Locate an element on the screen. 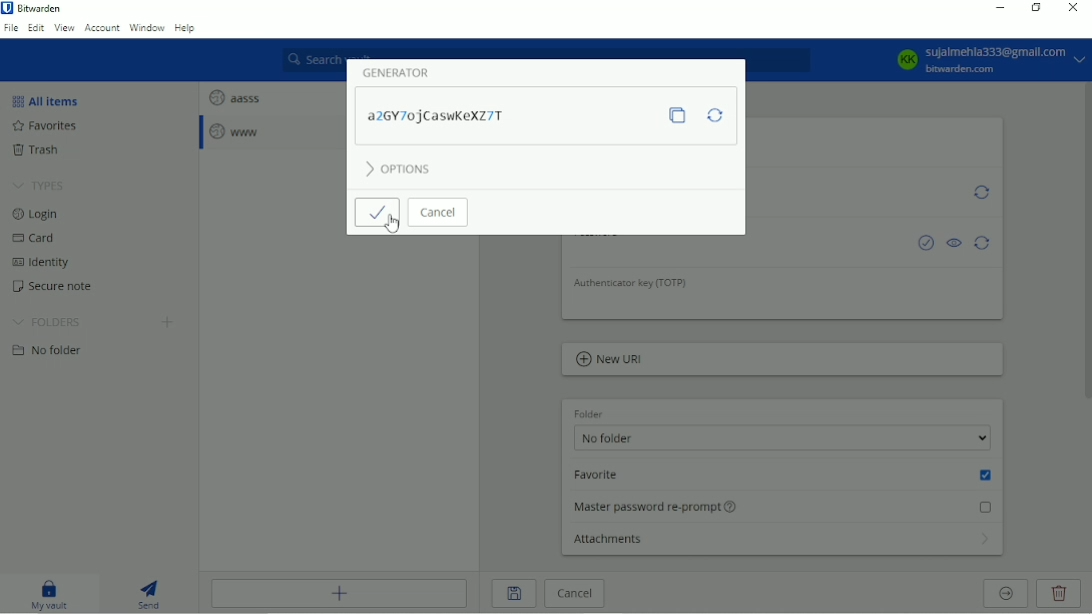 This screenshot has height=614, width=1092. View is located at coordinates (65, 29).